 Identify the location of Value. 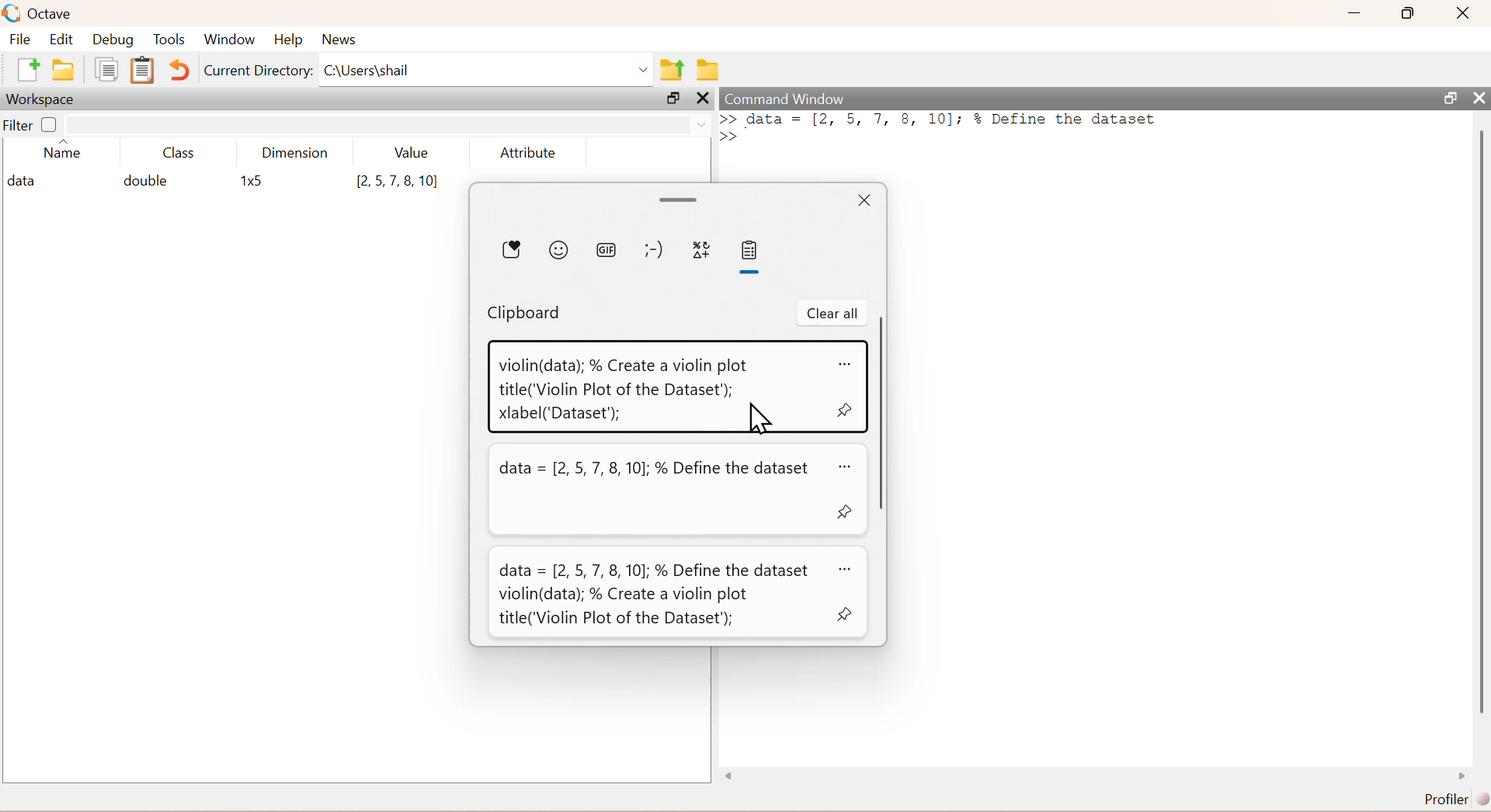
(412, 152).